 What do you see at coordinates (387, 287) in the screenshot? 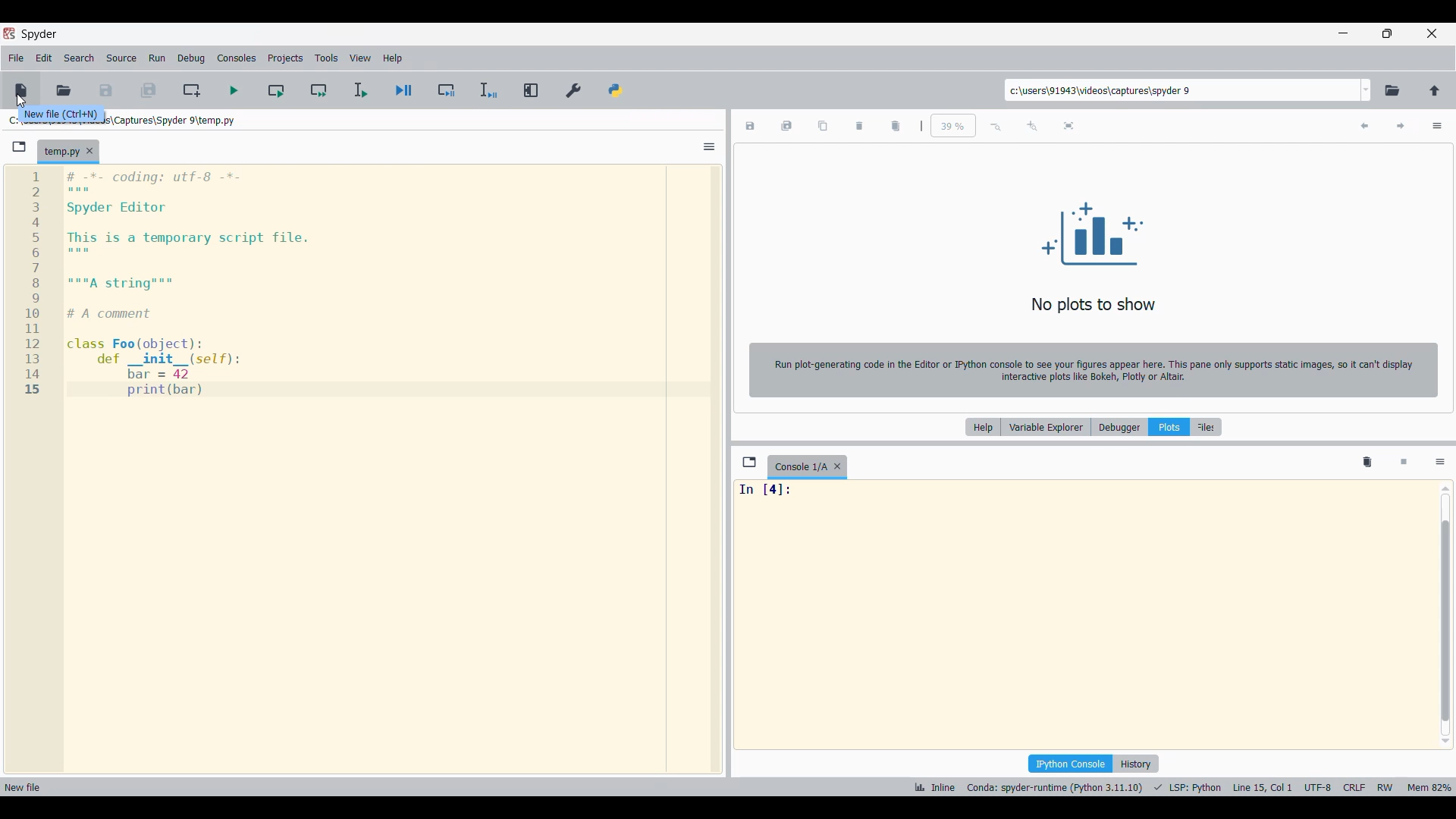
I see `# -*- coding: utf-8 -*-
Spyder Editor
This is a temporary script file.
"""A string"""
# A comment
class Foo(object):
def _init_ (self):
bar = 42
print(bar)` at bounding box center [387, 287].